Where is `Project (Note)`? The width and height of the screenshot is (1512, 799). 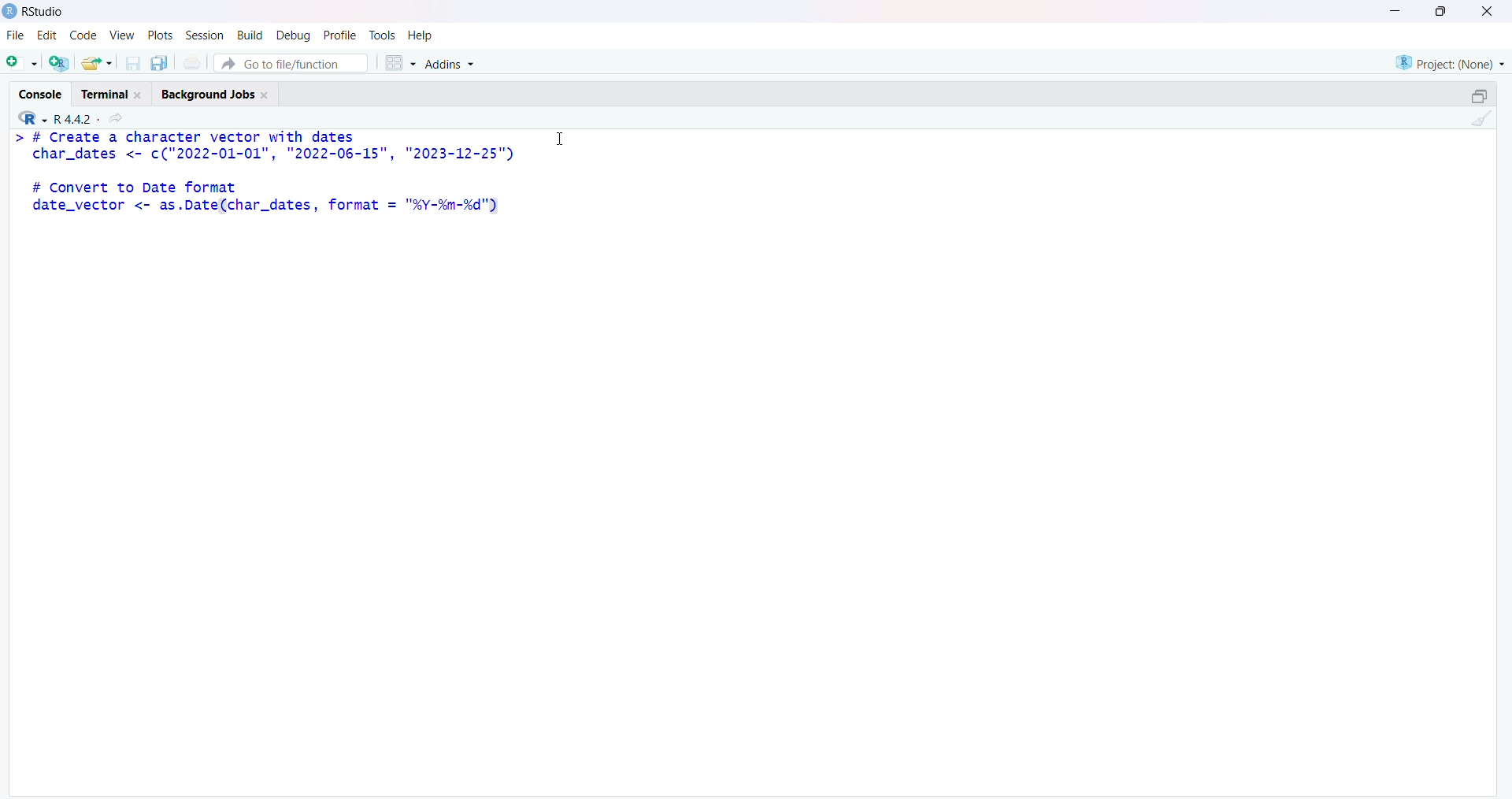 Project (Note) is located at coordinates (1447, 61).